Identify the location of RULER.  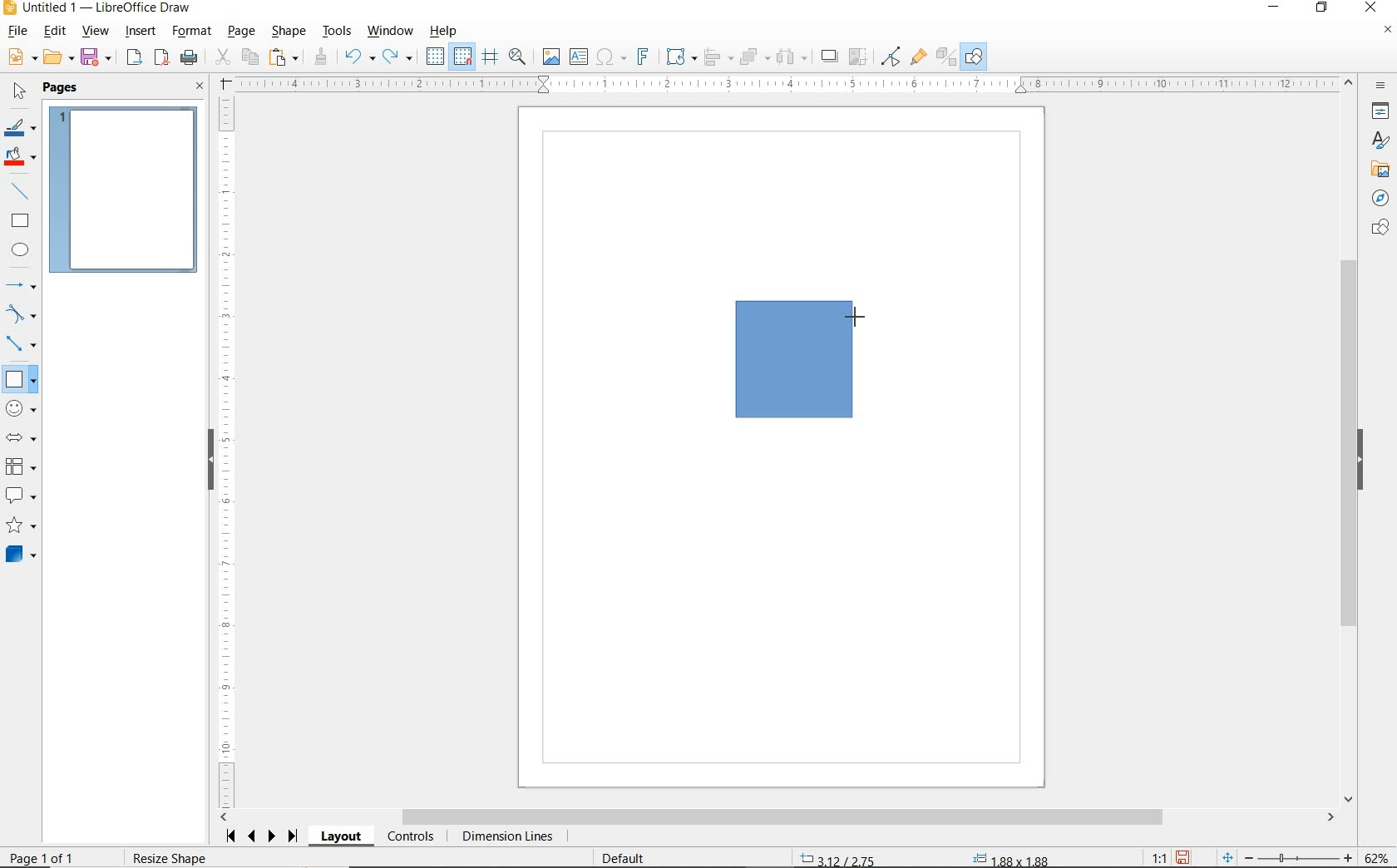
(227, 452).